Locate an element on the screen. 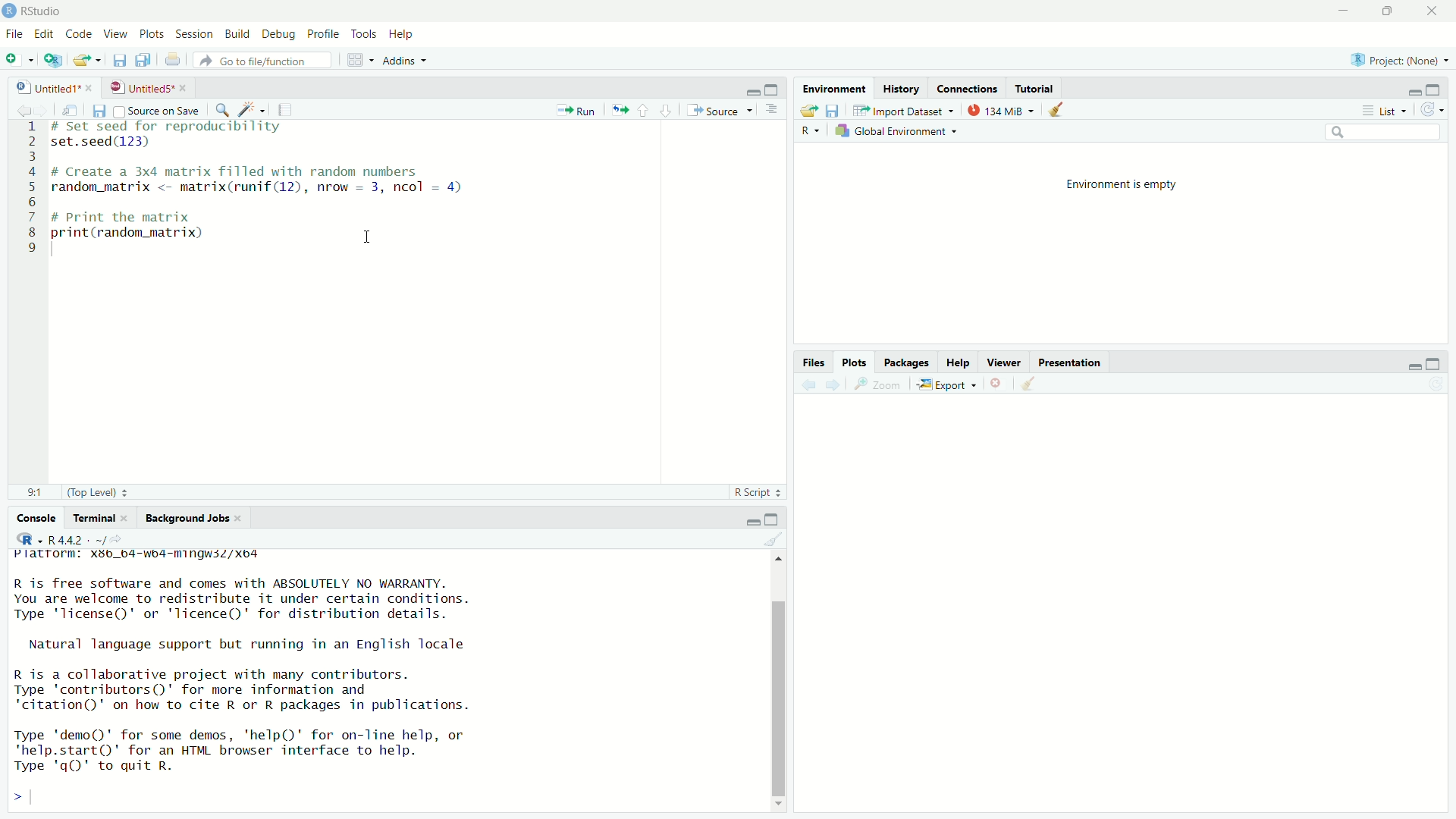  Debug is located at coordinates (279, 33).